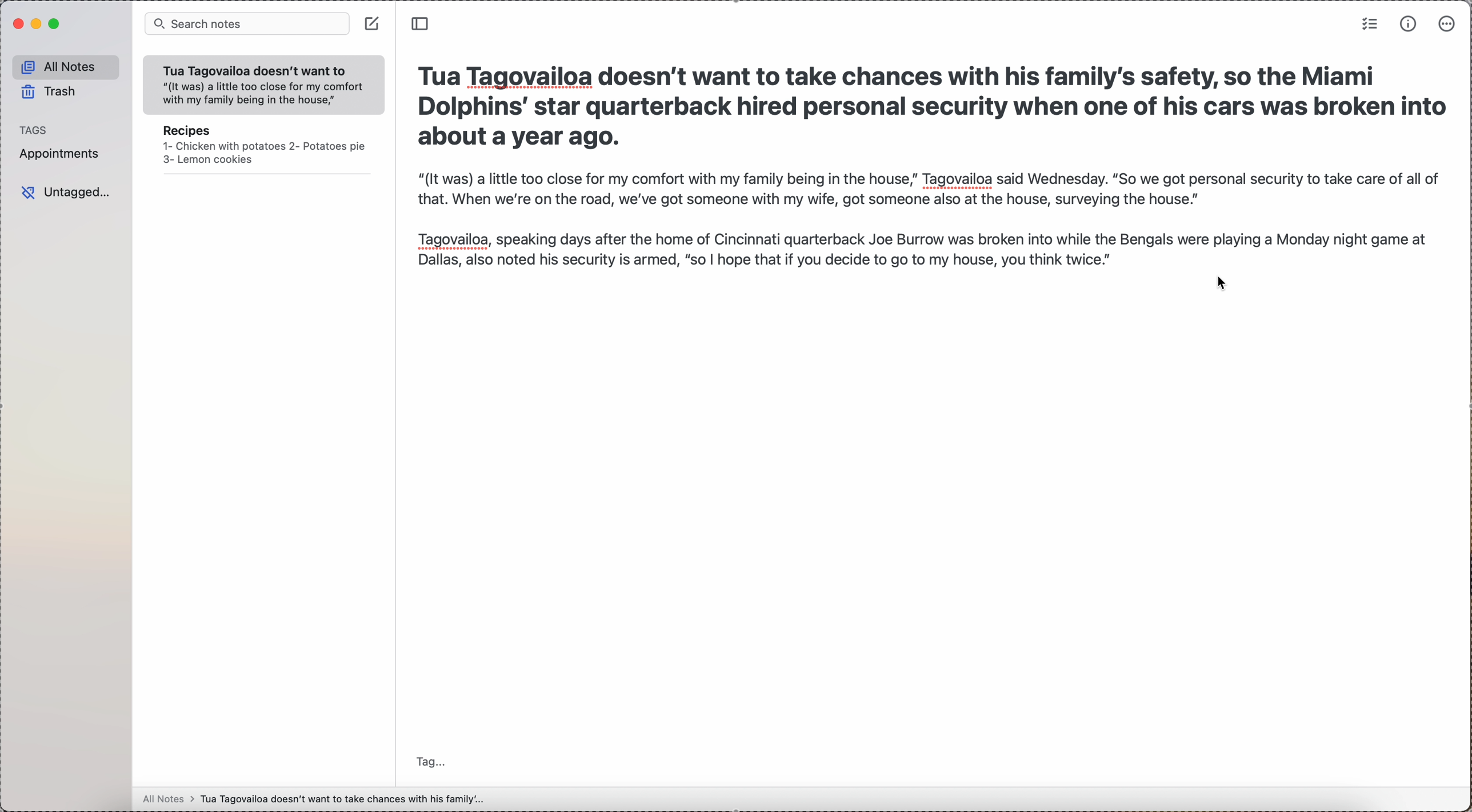 This screenshot has width=1472, height=812. What do you see at coordinates (1369, 25) in the screenshot?
I see `check list` at bounding box center [1369, 25].